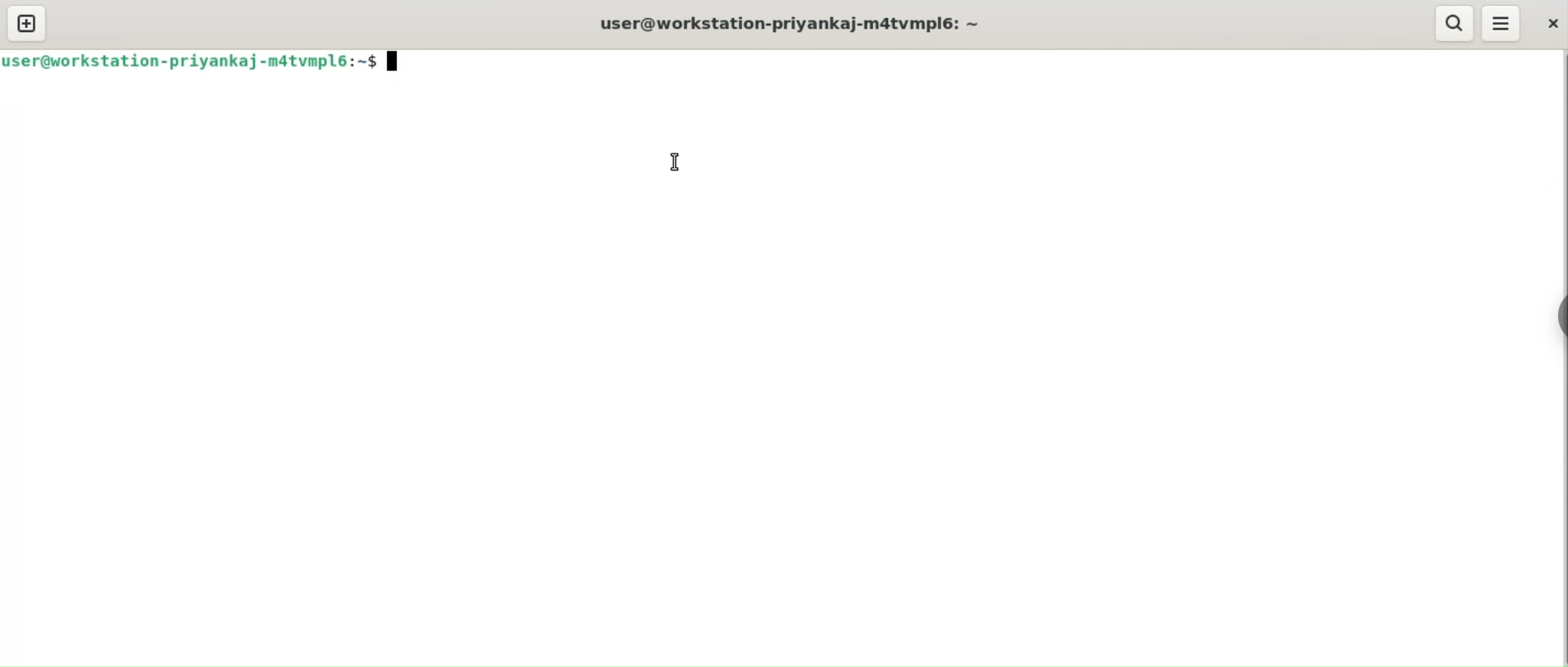  Describe the element at coordinates (676, 163) in the screenshot. I see `cursor` at that location.